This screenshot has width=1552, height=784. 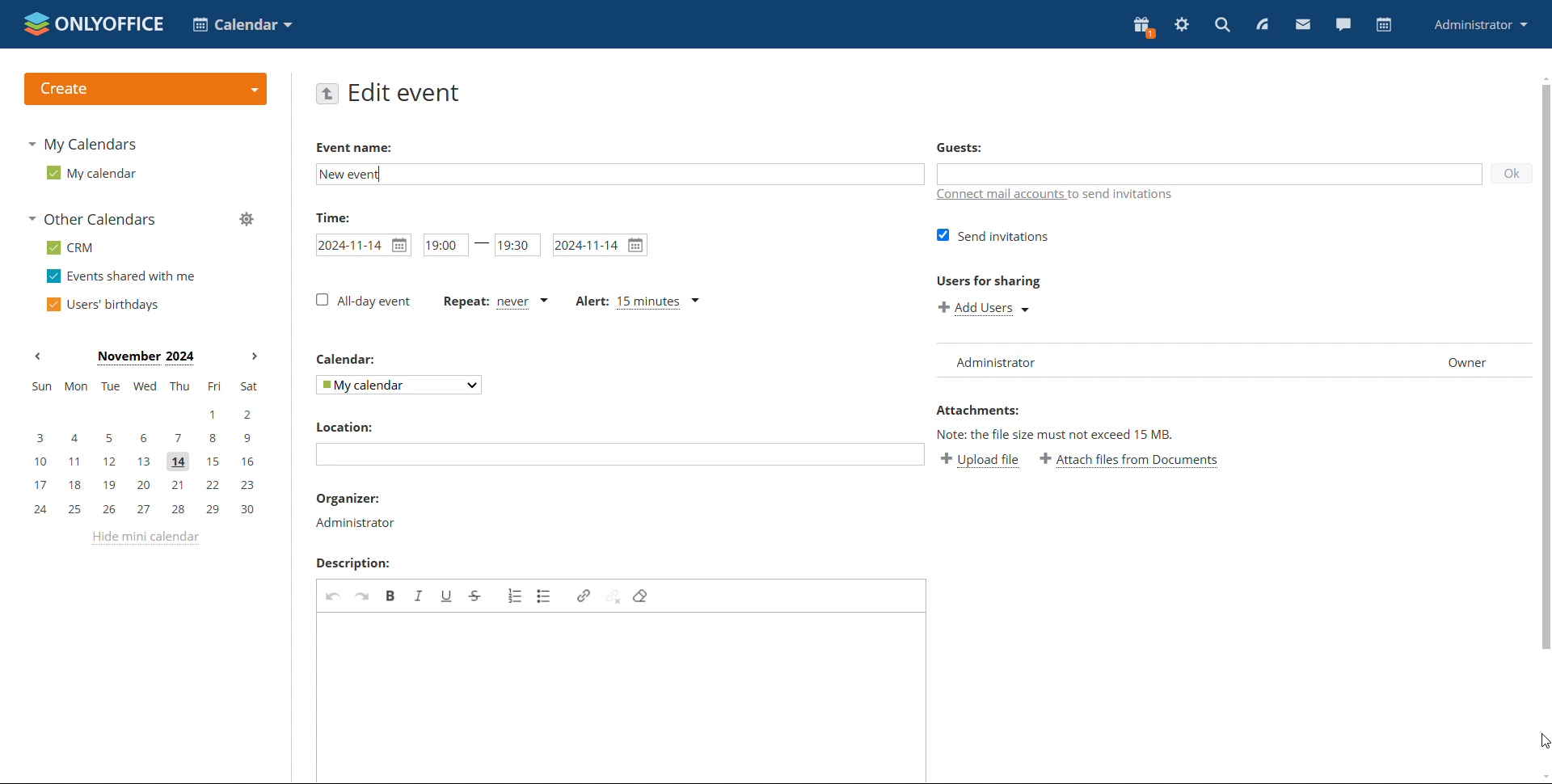 What do you see at coordinates (638, 304) in the screenshot?
I see `alert type` at bounding box center [638, 304].